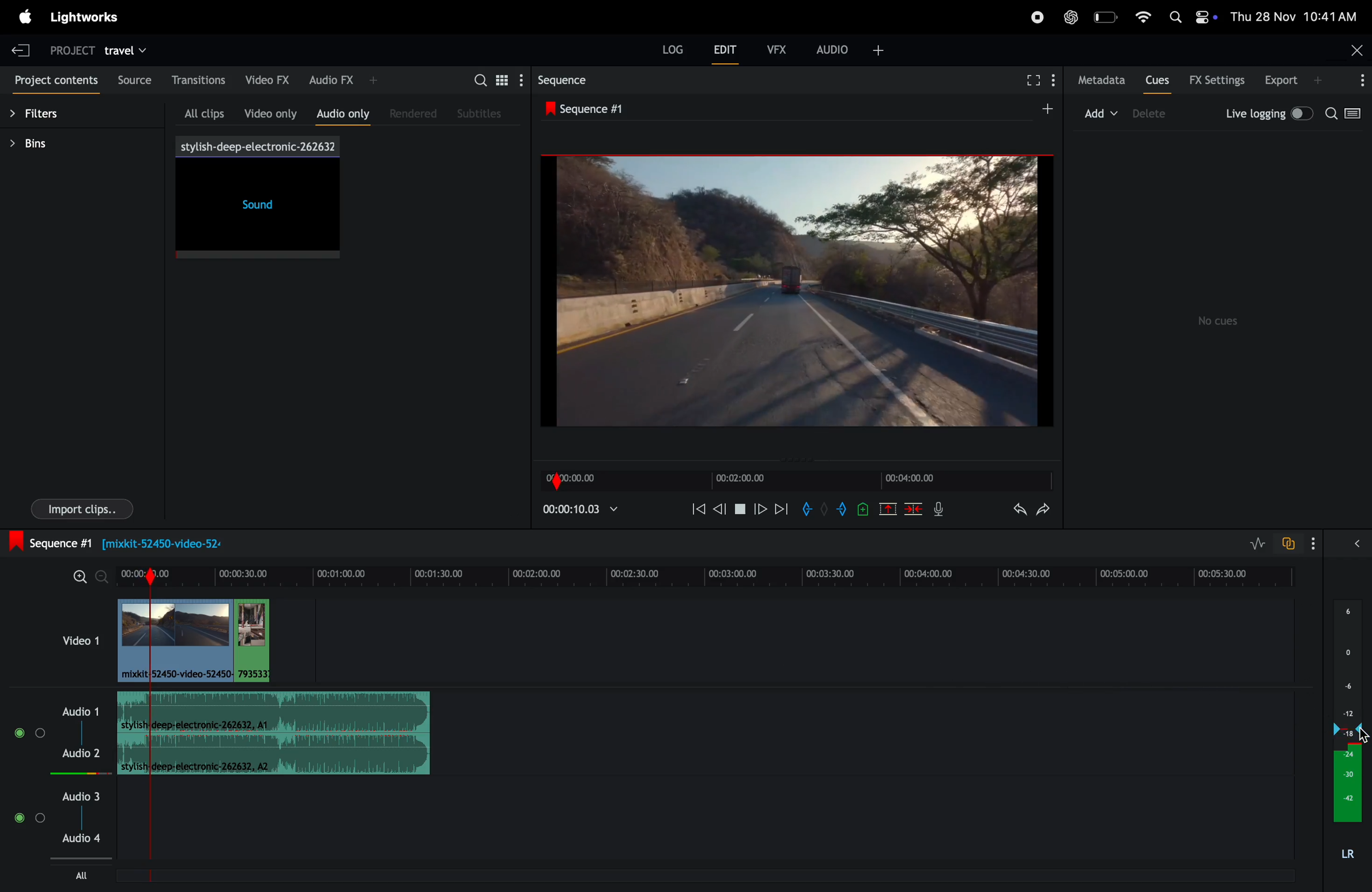  What do you see at coordinates (862, 511) in the screenshot?
I see `add cue to position` at bounding box center [862, 511].